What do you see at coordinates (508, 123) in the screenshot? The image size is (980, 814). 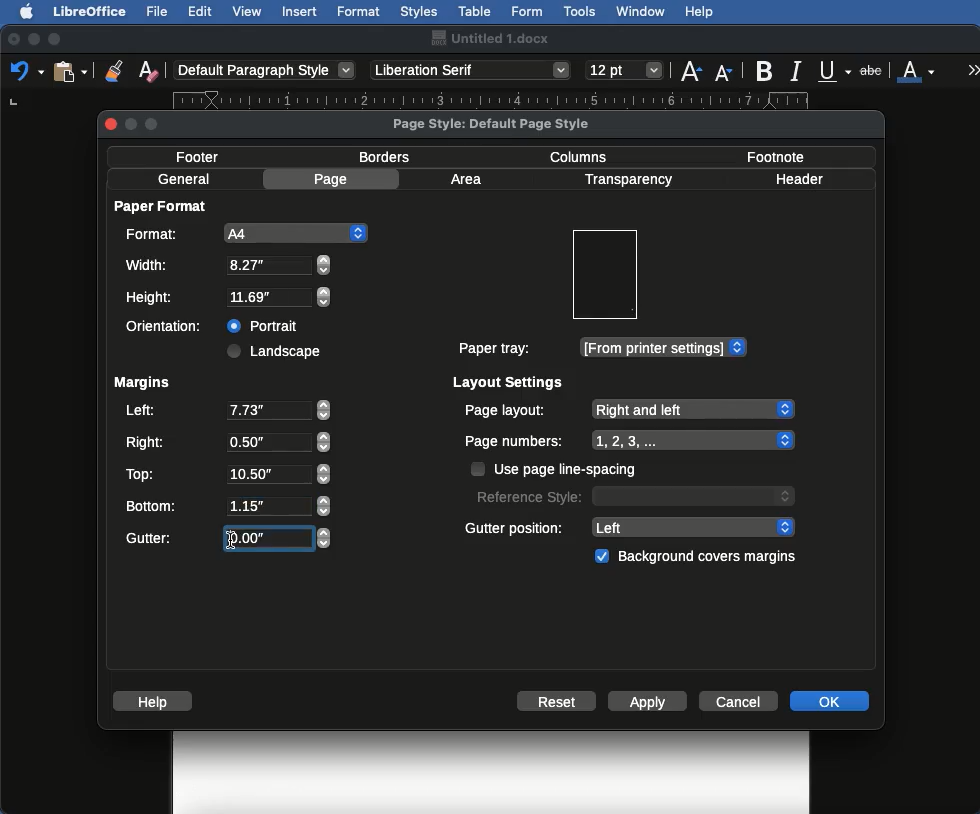 I see `Page style` at bounding box center [508, 123].